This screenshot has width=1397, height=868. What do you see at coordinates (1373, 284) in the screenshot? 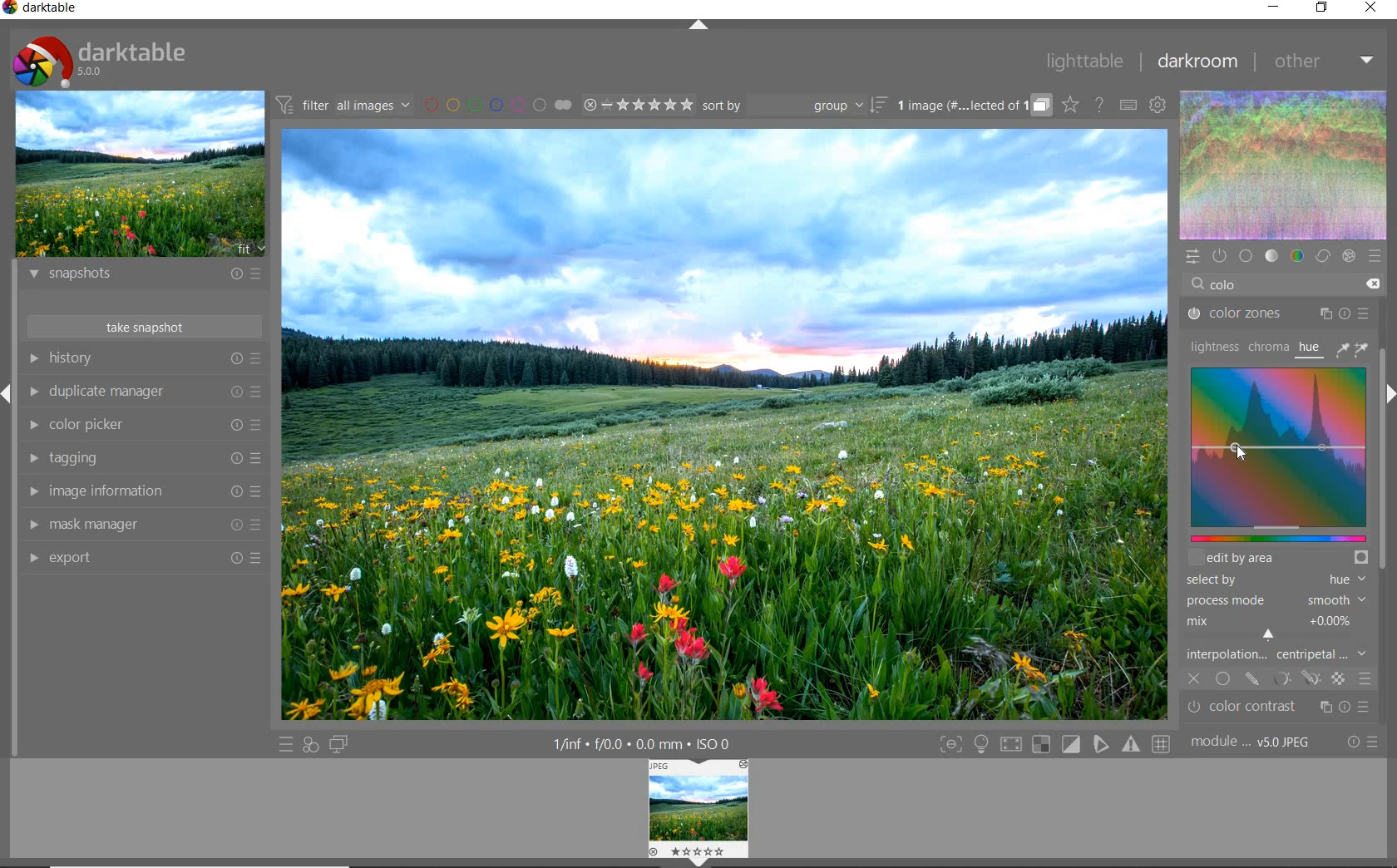
I see `delete` at bounding box center [1373, 284].